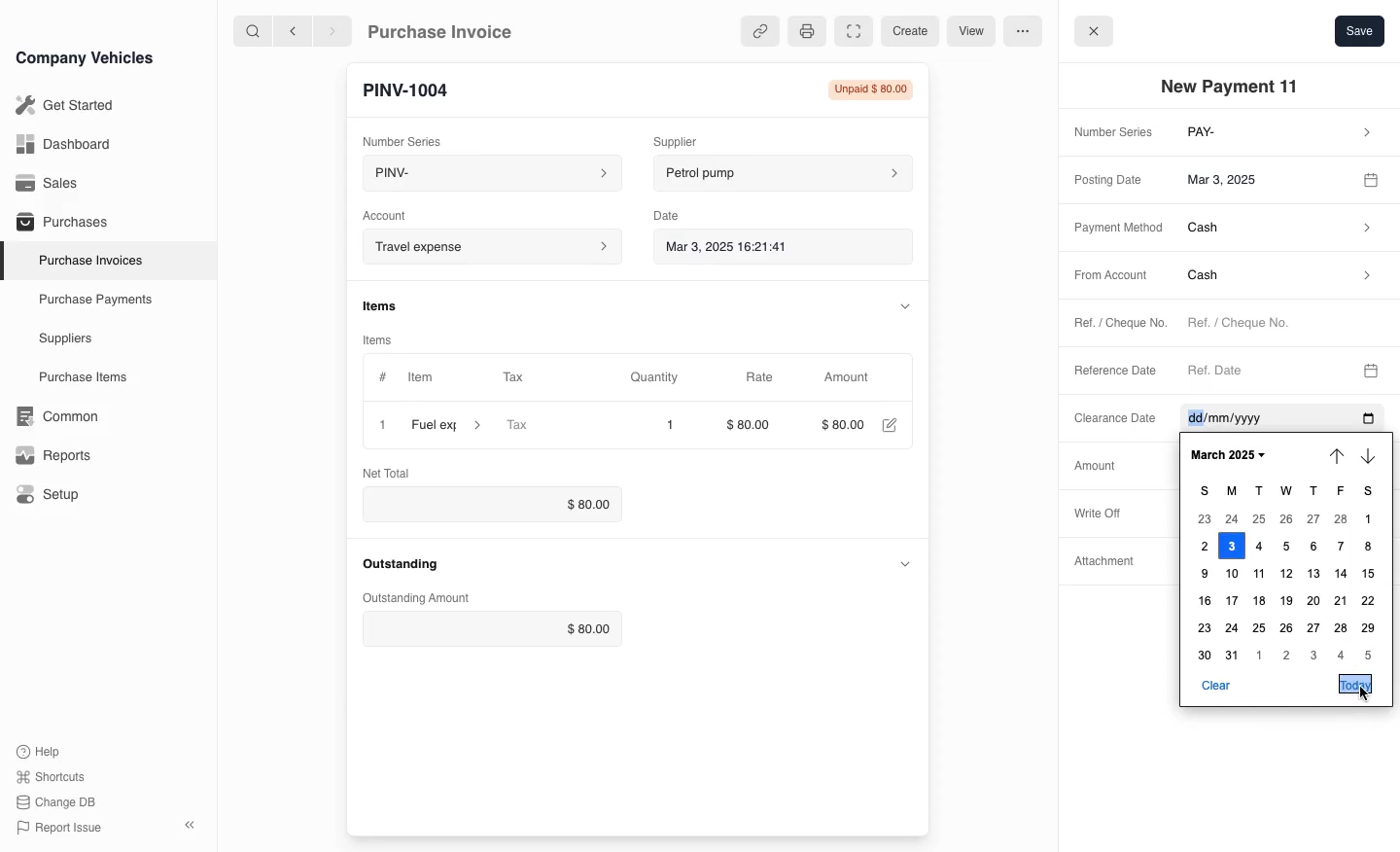  What do you see at coordinates (1372, 458) in the screenshot?
I see `next month` at bounding box center [1372, 458].